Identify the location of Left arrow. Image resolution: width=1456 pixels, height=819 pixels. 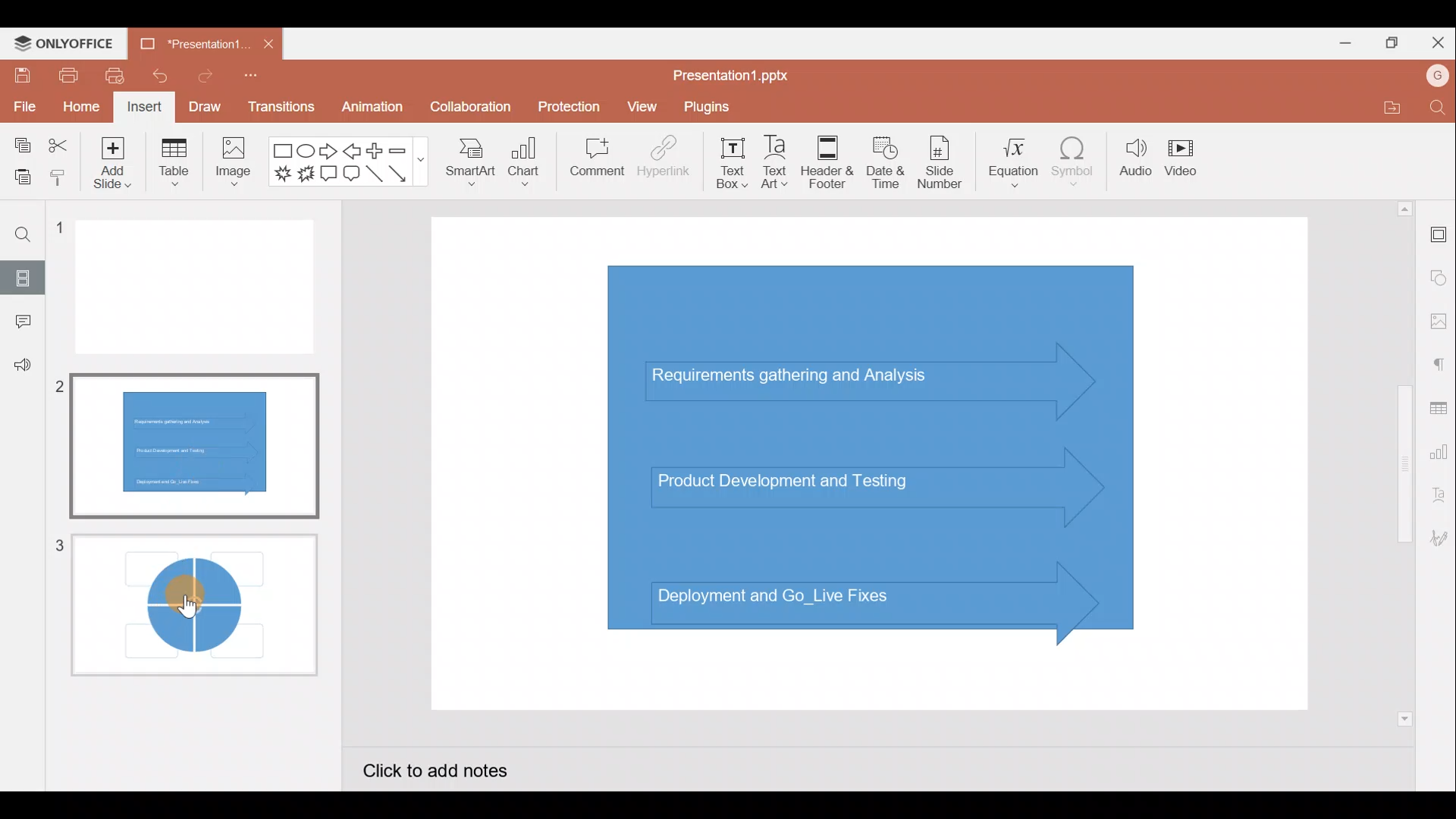
(351, 152).